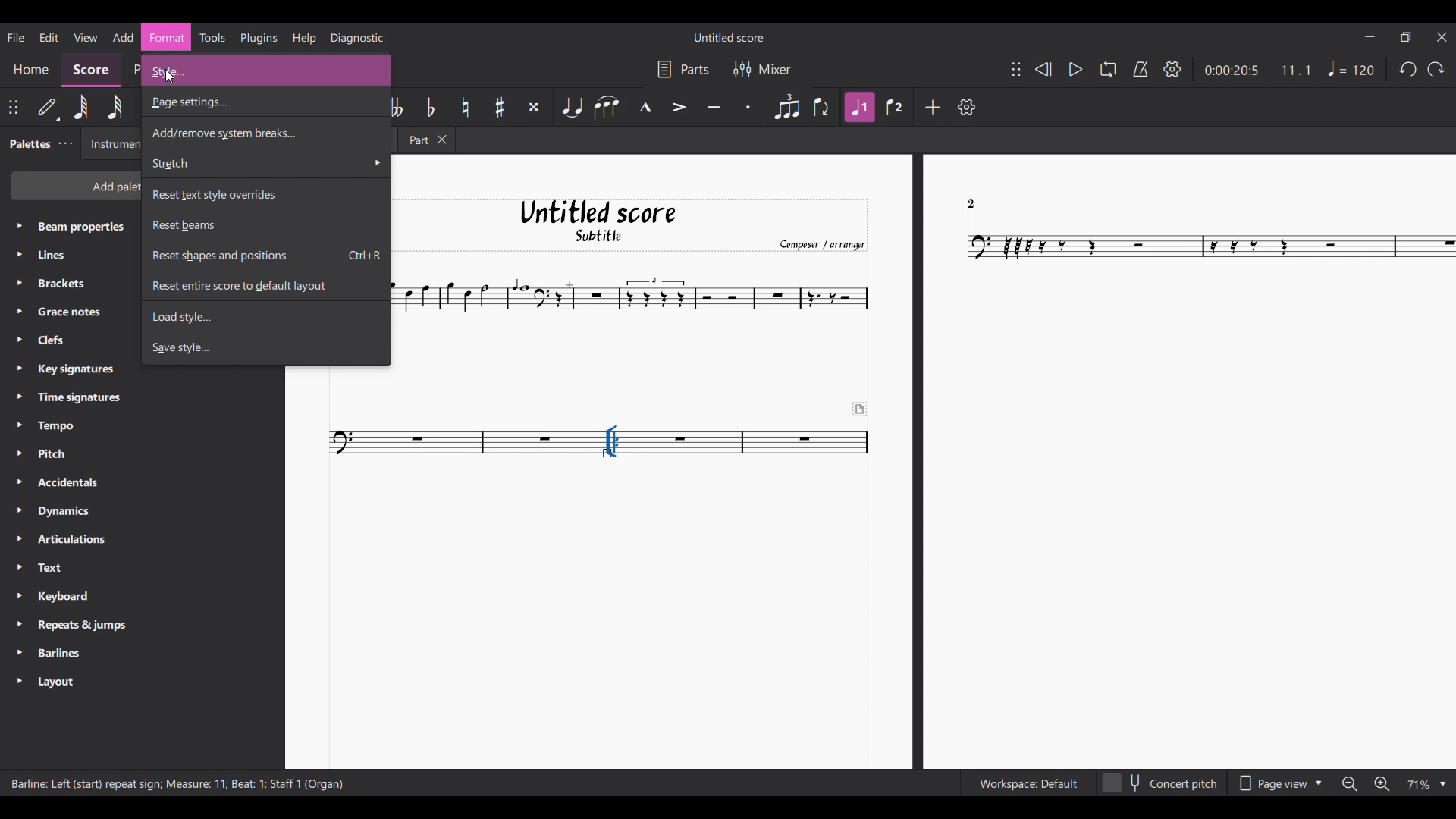  What do you see at coordinates (266, 255) in the screenshot?
I see `Reset shapes and positions` at bounding box center [266, 255].